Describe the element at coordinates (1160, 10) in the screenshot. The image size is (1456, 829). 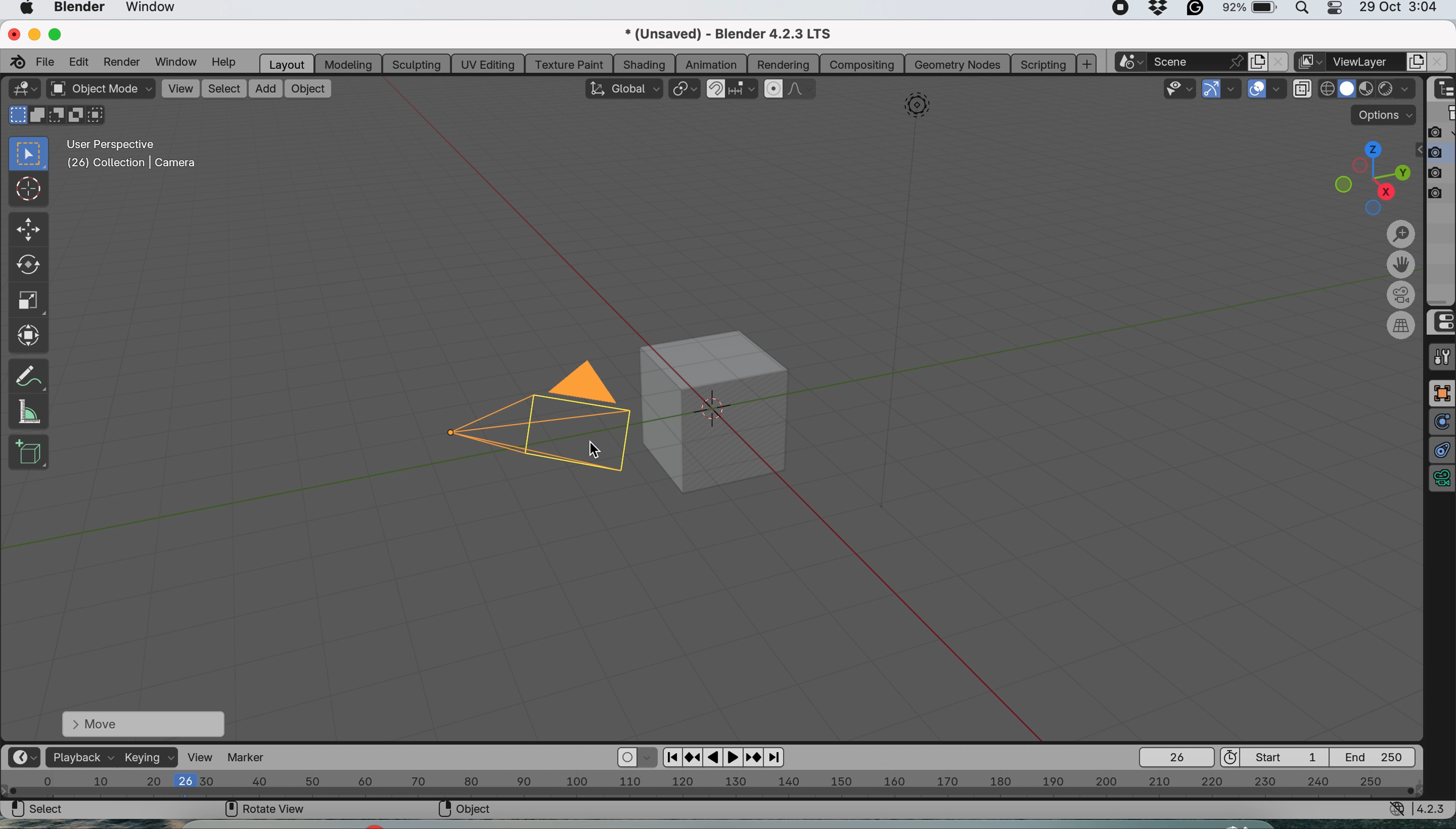
I see `drop box` at that location.